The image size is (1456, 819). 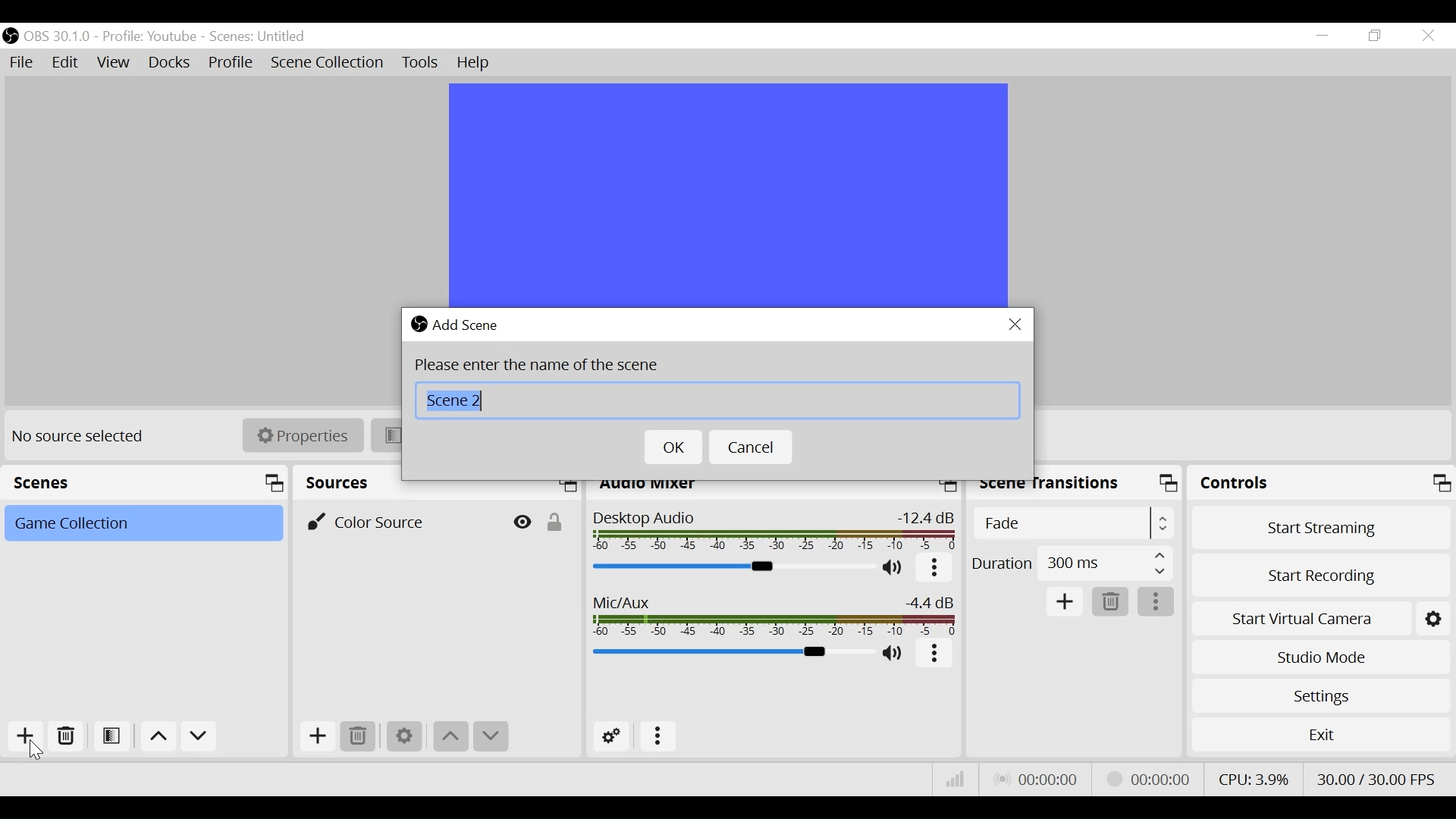 What do you see at coordinates (1427, 36) in the screenshot?
I see `Close` at bounding box center [1427, 36].